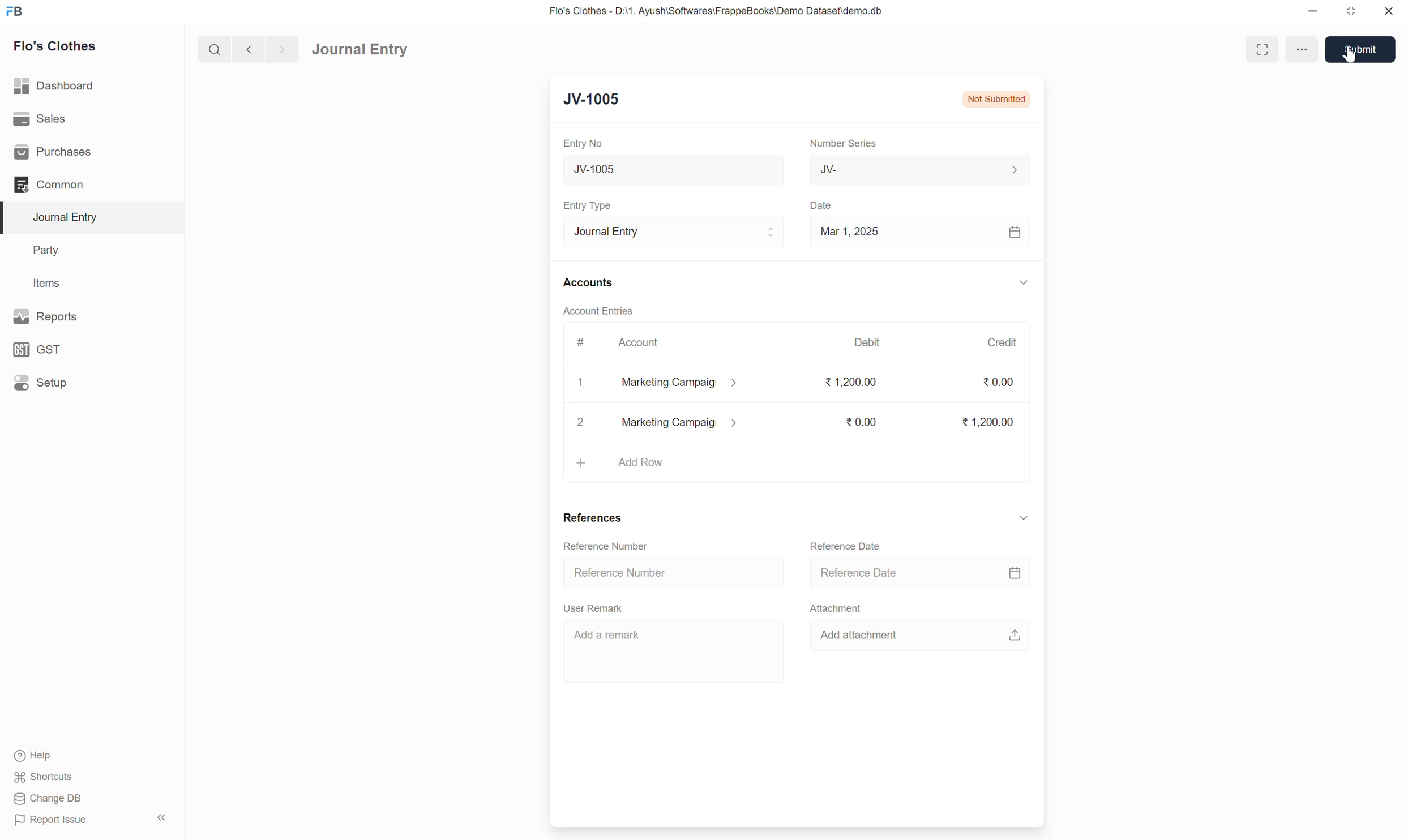  Describe the element at coordinates (46, 282) in the screenshot. I see `Items` at that location.